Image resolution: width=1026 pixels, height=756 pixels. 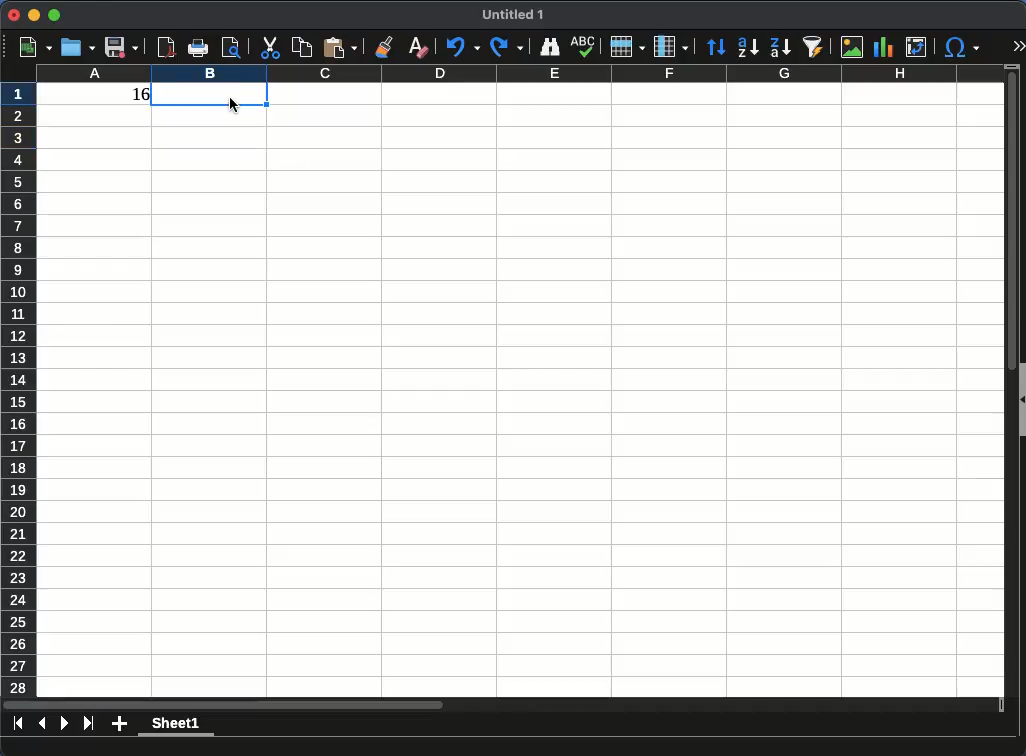 I want to click on rows, so click(x=19, y=388).